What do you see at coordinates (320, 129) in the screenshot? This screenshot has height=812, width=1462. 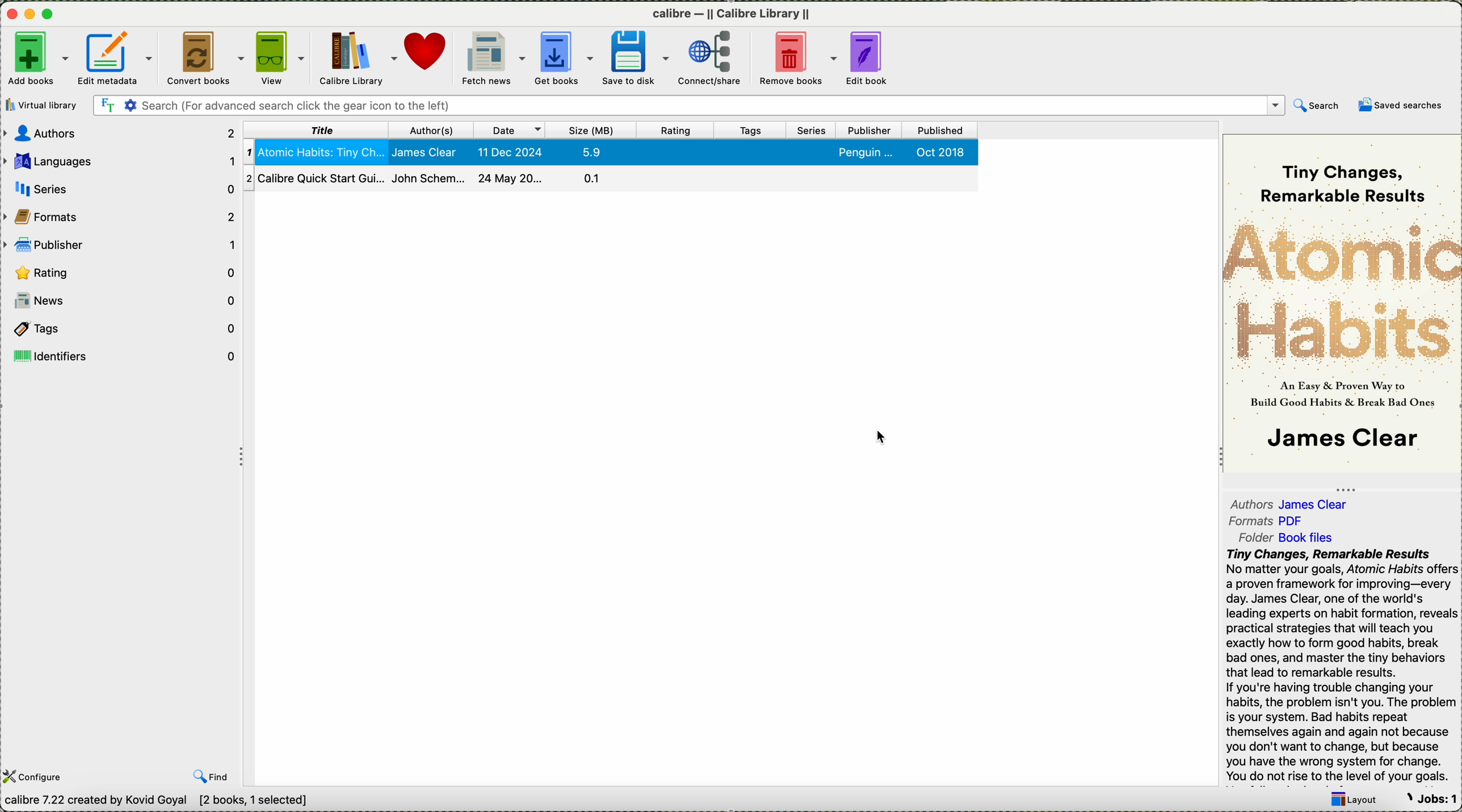 I see `title` at bounding box center [320, 129].